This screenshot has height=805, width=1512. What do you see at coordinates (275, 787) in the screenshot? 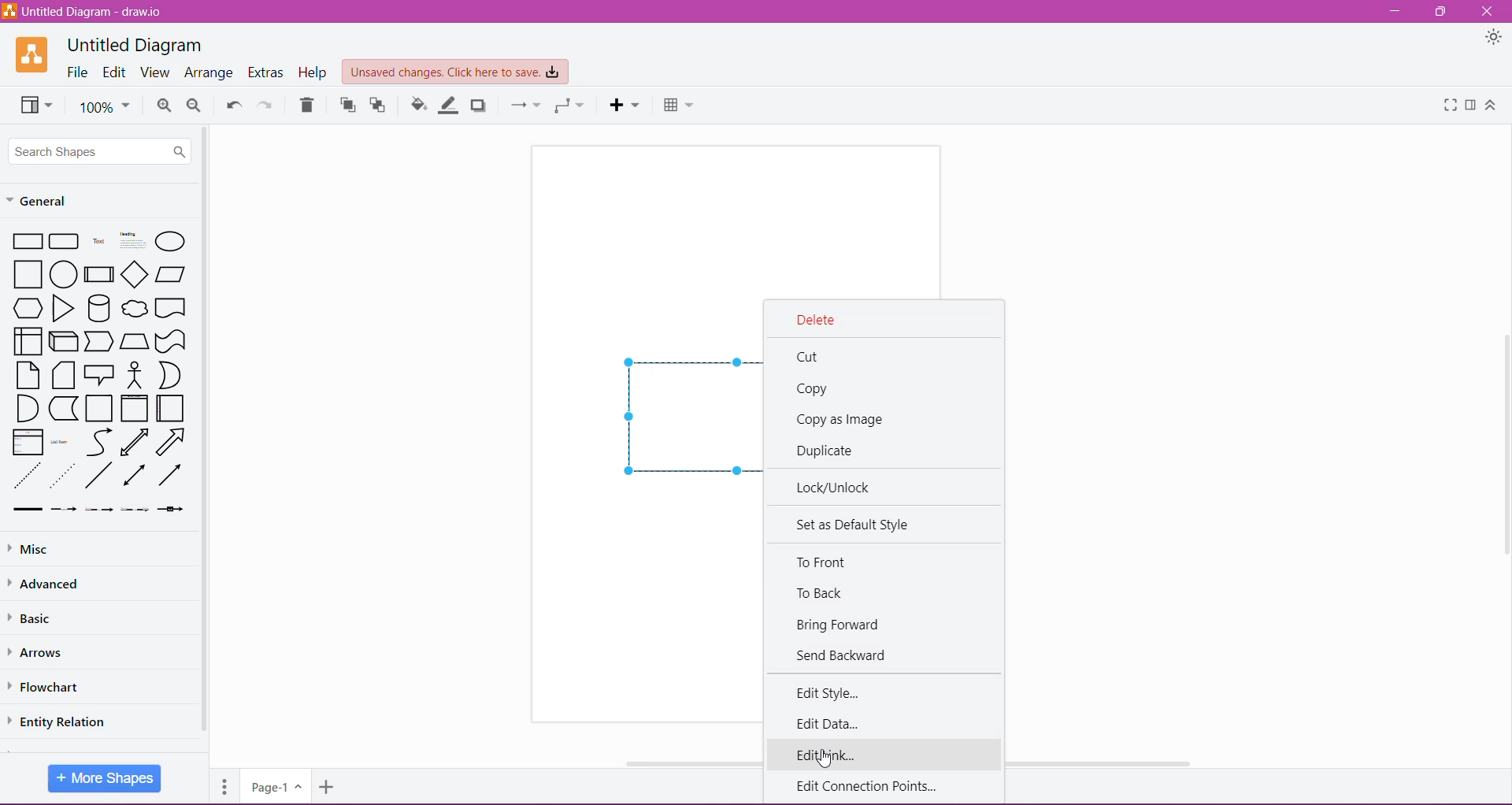
I see `Page Number` at bounding box center [275, 787].